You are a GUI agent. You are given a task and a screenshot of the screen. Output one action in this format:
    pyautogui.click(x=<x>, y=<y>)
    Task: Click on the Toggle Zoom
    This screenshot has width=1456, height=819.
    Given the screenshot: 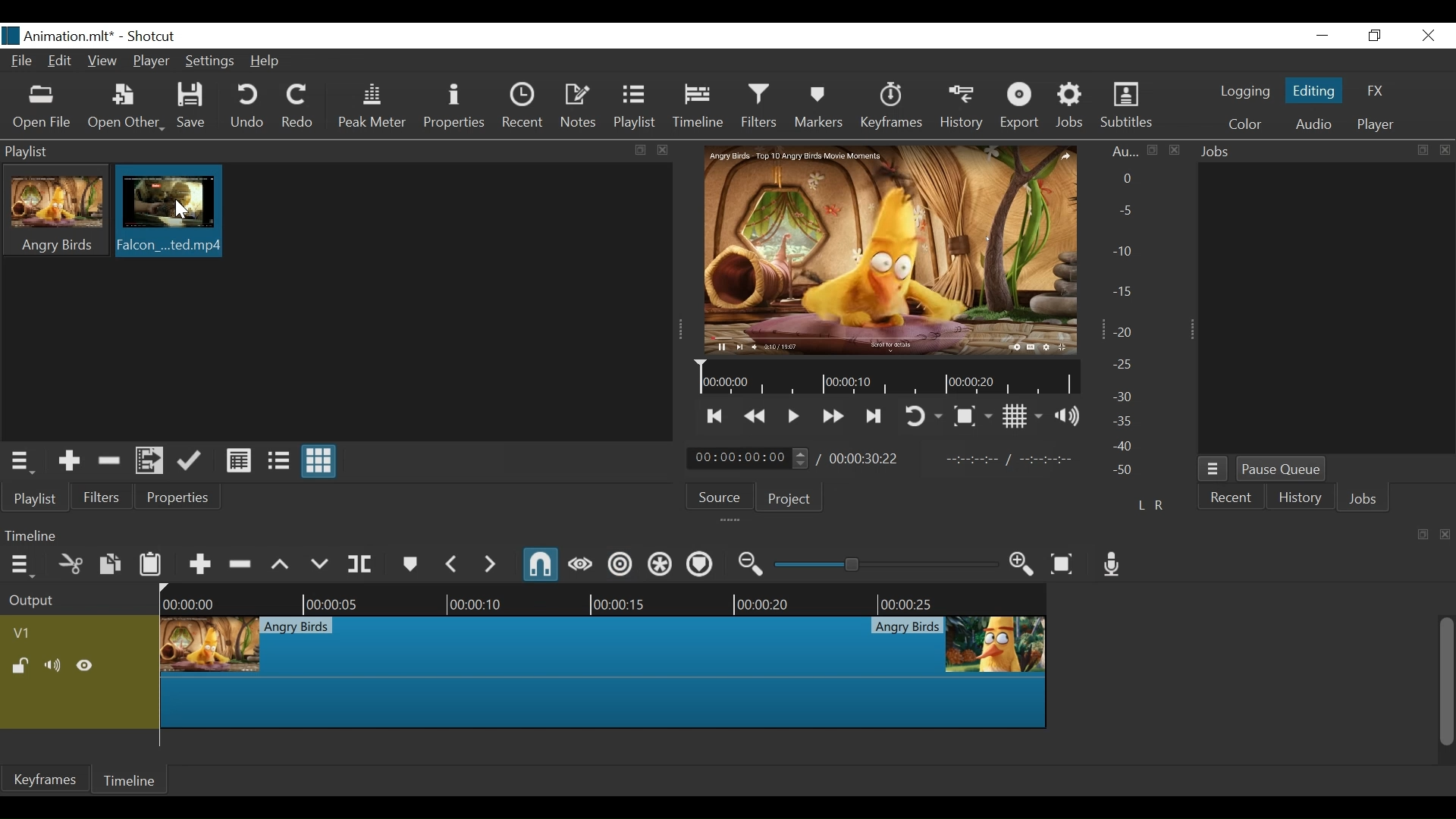 What is the action you would take?
    pyautogui.click(x=973, y=416)
    